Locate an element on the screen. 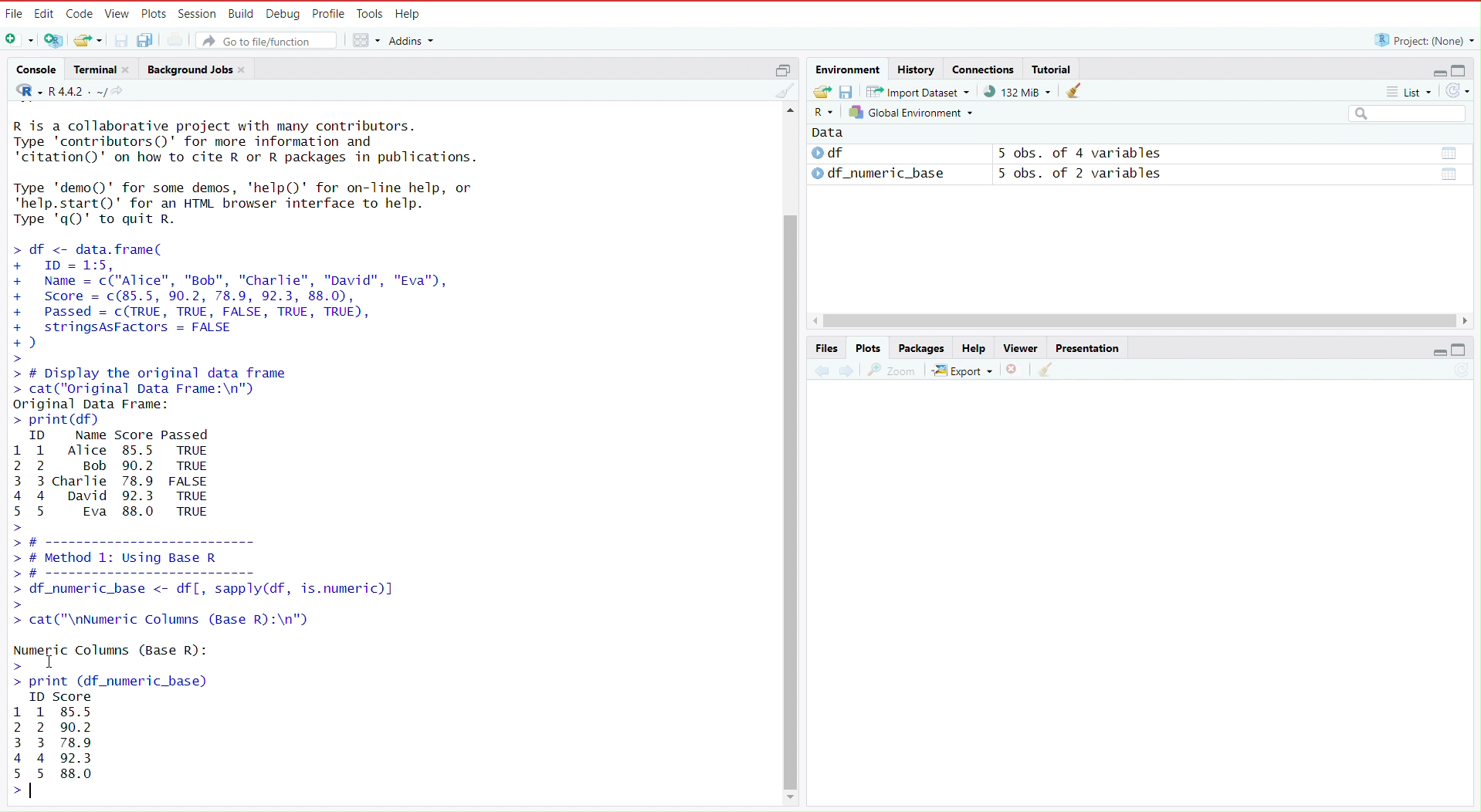  clear all plots is located at coordinates (1046, 371).